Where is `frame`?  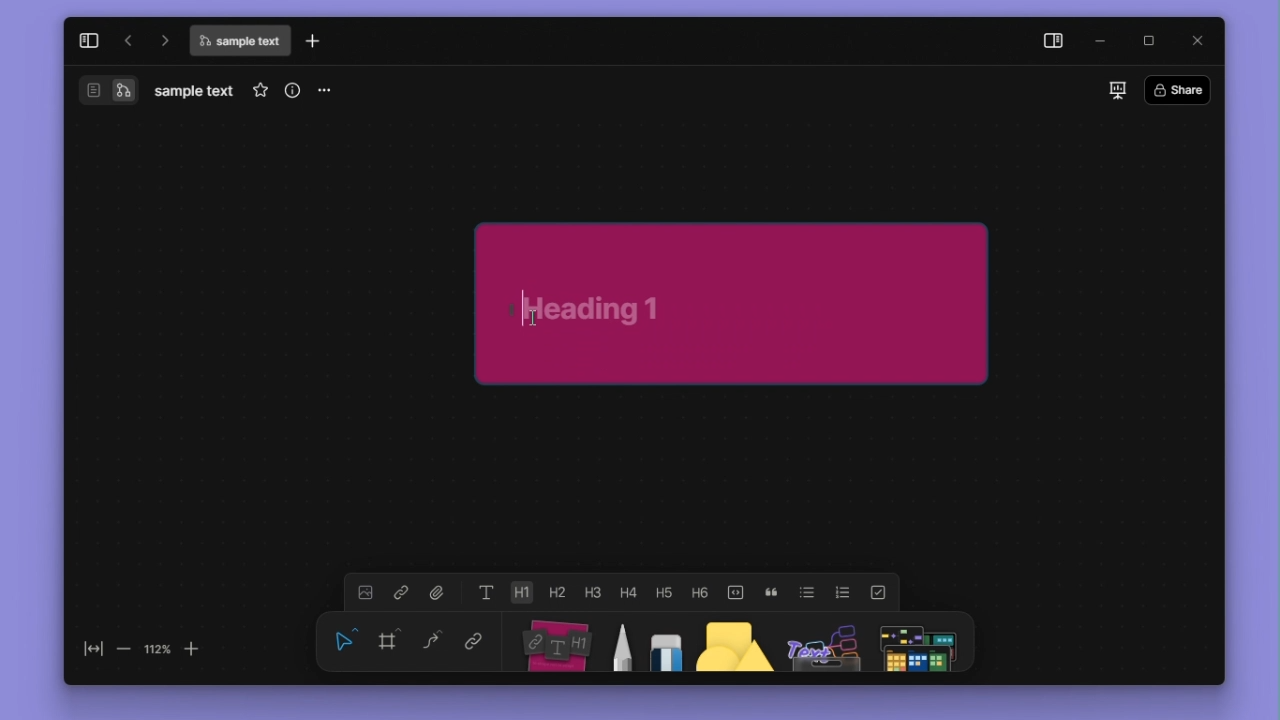
frame is located at coordinates (388, 639).